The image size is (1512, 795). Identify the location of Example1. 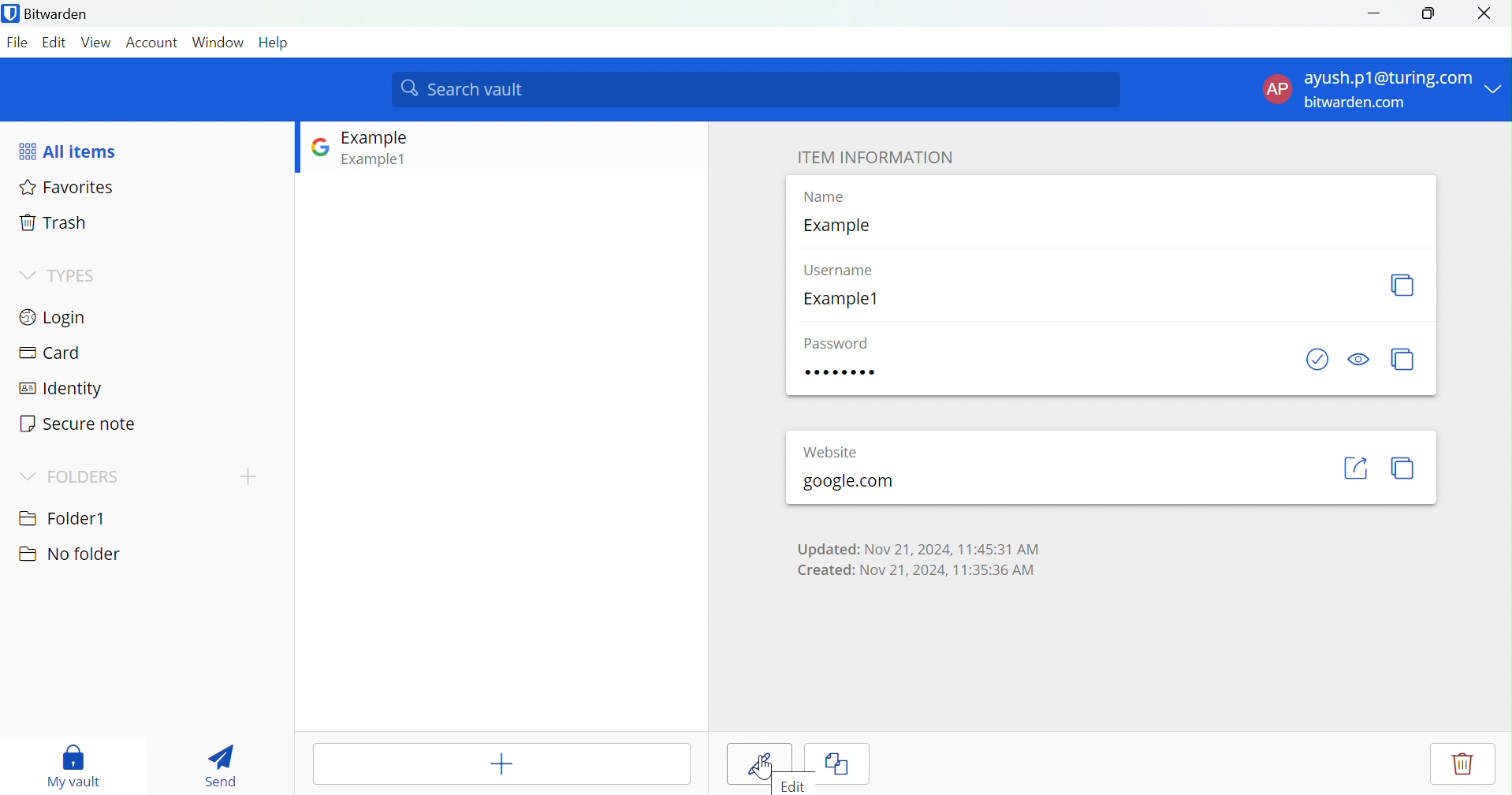
(843, 299).